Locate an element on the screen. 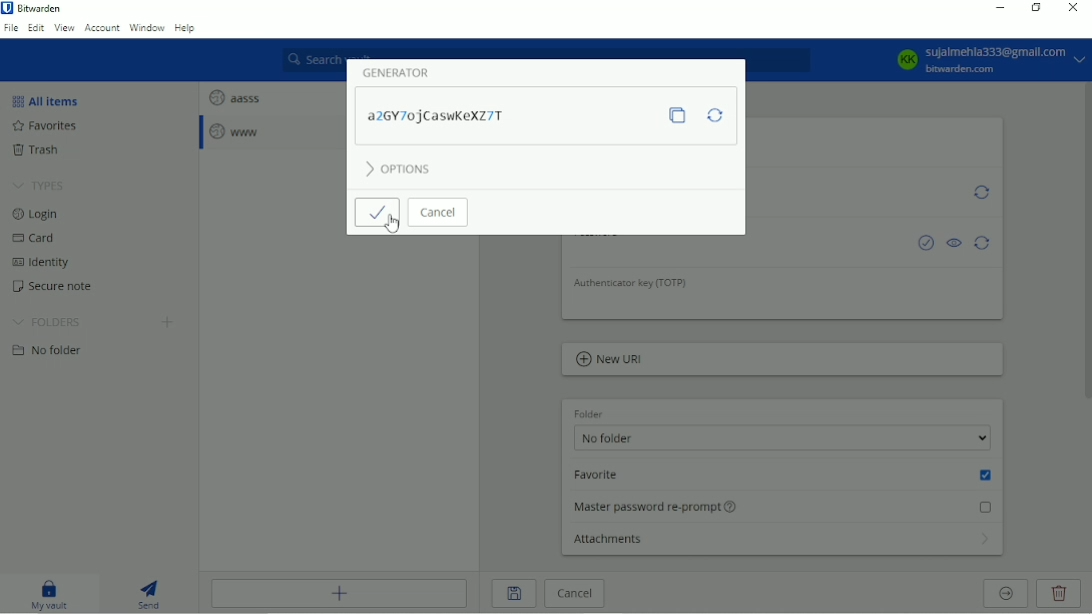 The image size is (1092, 614). Move to organization is located at coordinates (1008, 594).